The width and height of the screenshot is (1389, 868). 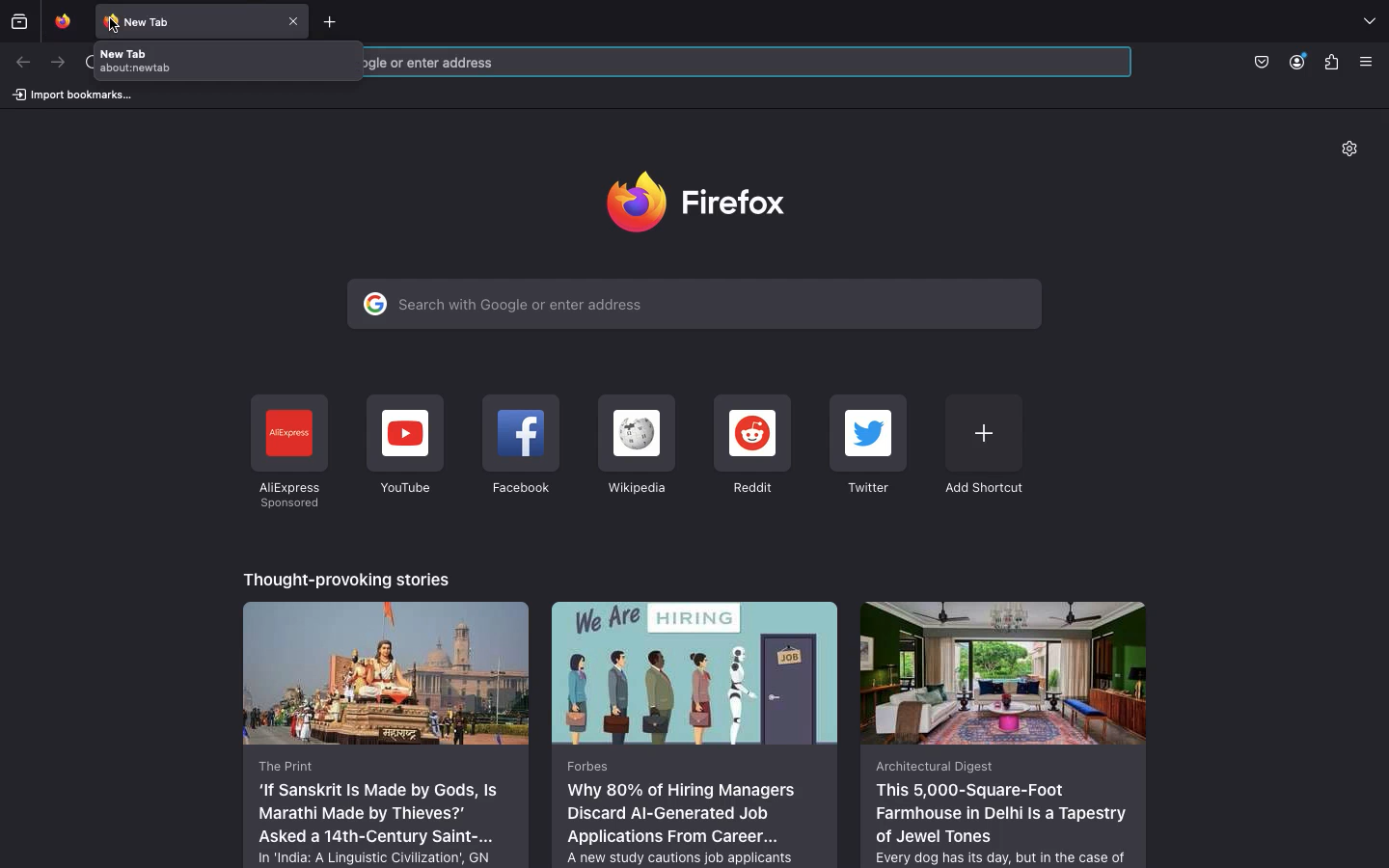 I want to click on Facebook, so click(x=520, y=448).